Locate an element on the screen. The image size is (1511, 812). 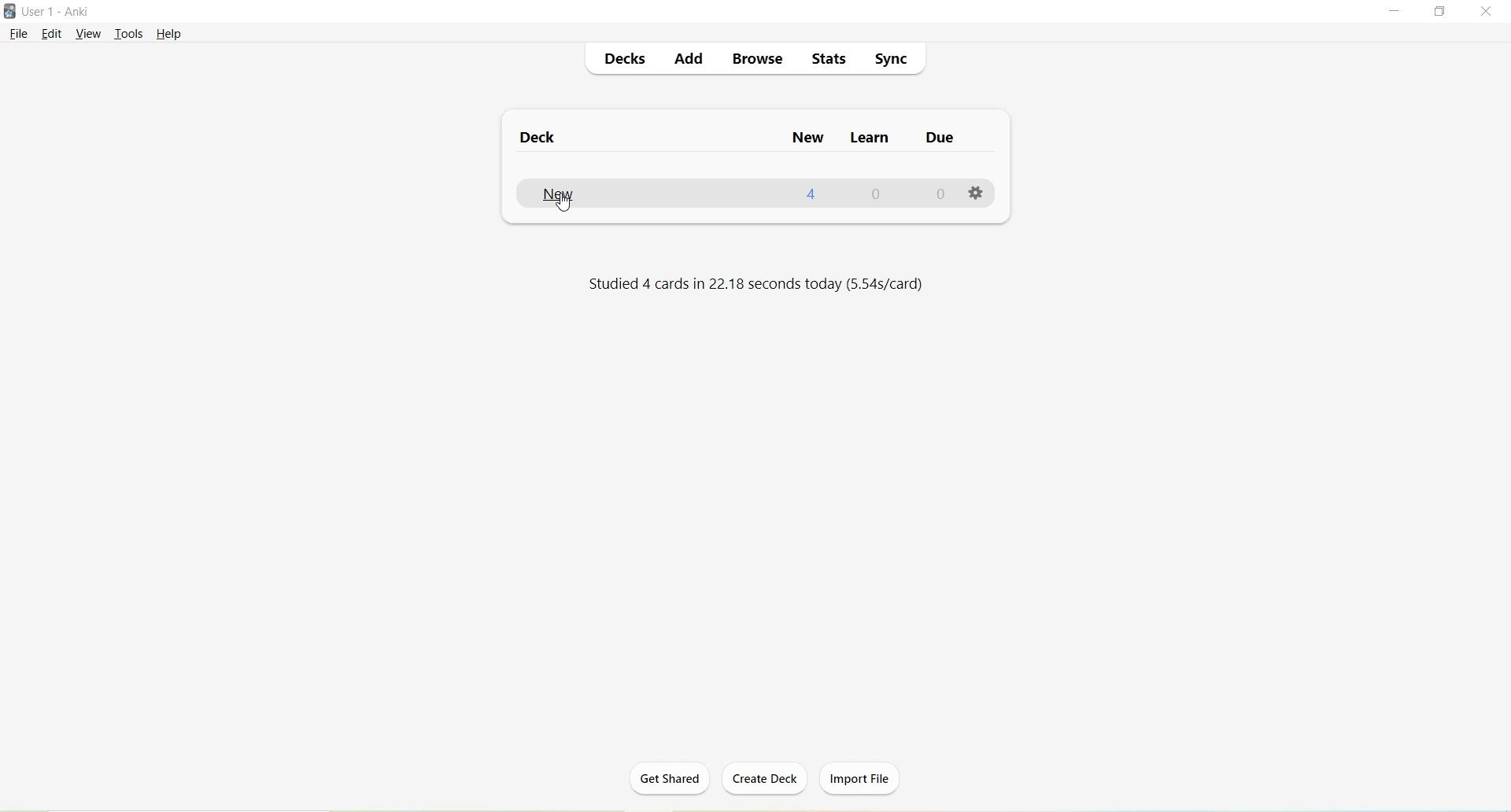
Add is located at coordinates (690, 60).